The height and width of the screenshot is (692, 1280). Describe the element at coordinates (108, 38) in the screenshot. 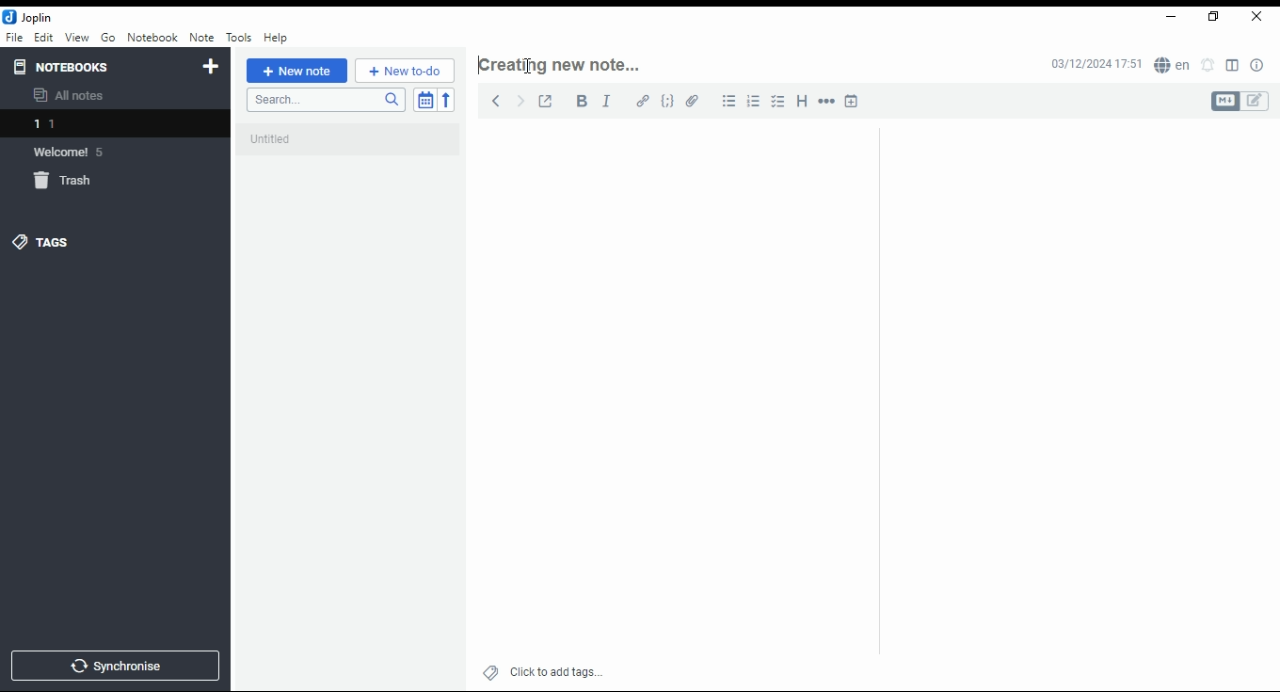

I see `go` at that location.